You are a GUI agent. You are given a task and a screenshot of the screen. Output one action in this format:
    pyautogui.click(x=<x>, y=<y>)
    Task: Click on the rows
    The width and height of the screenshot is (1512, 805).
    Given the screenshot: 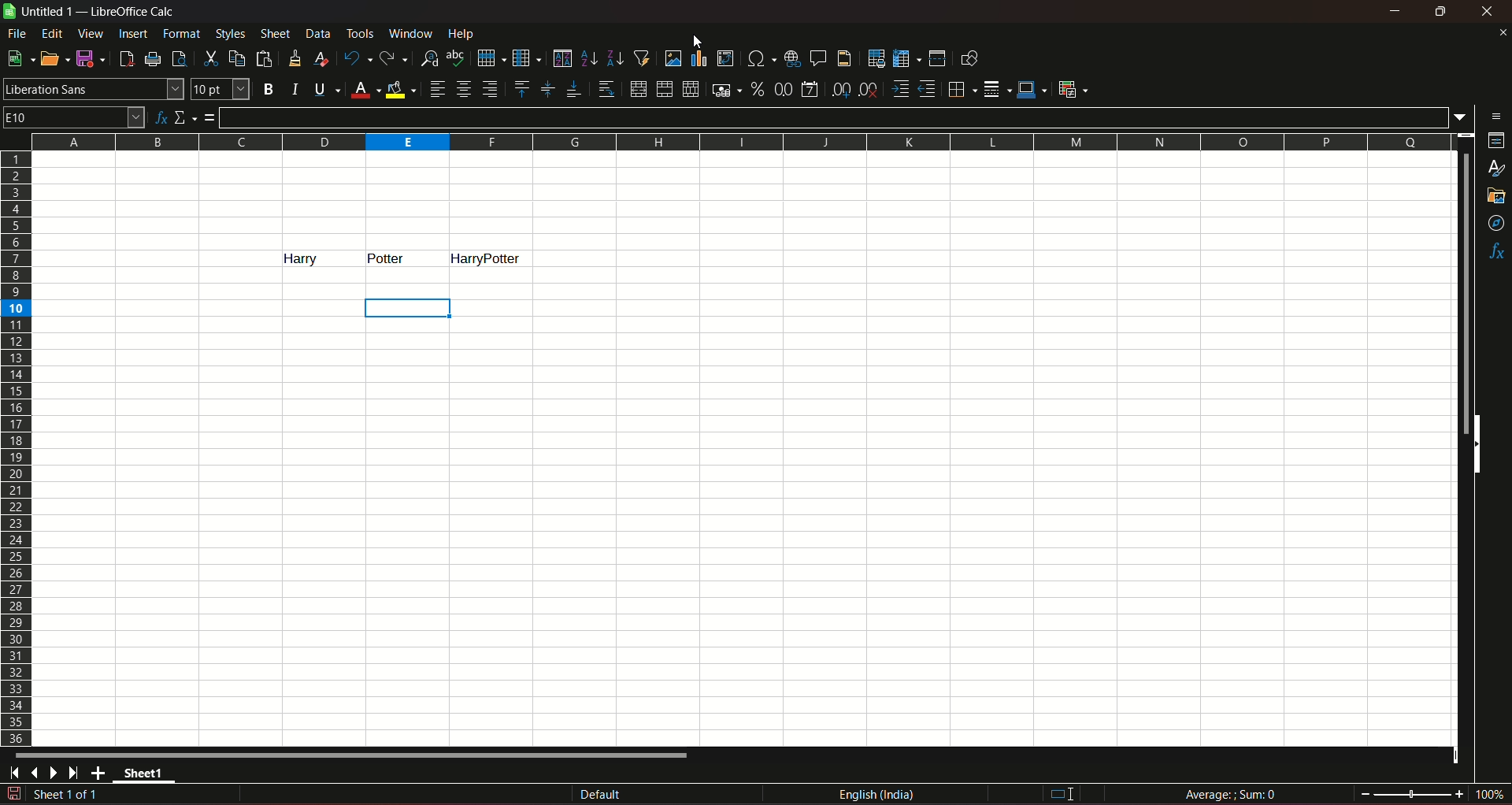 What is the action you would take?
    pyautogui.click(x=17, y=447)
    